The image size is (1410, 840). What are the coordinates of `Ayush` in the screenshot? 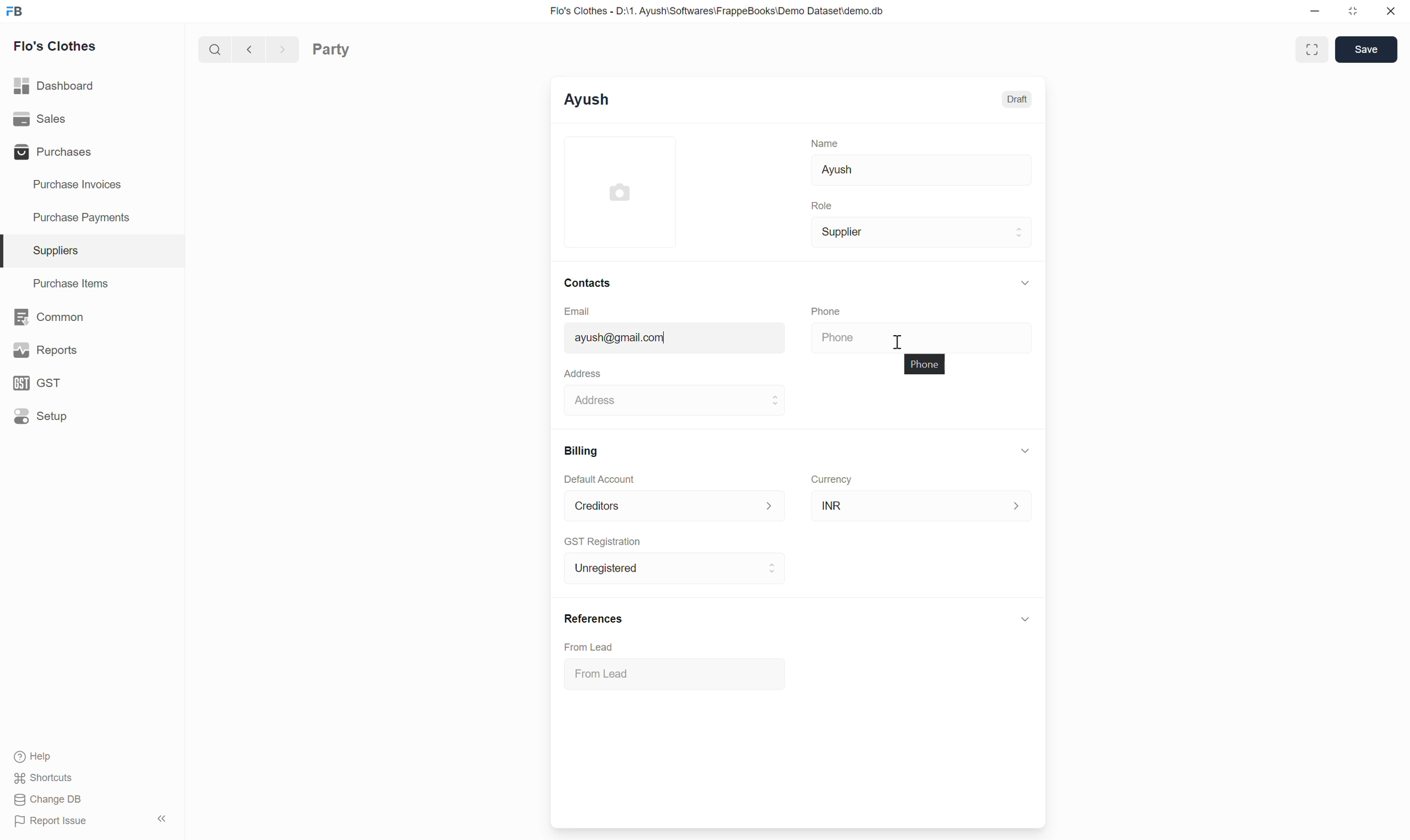 It's located at (587, 100).